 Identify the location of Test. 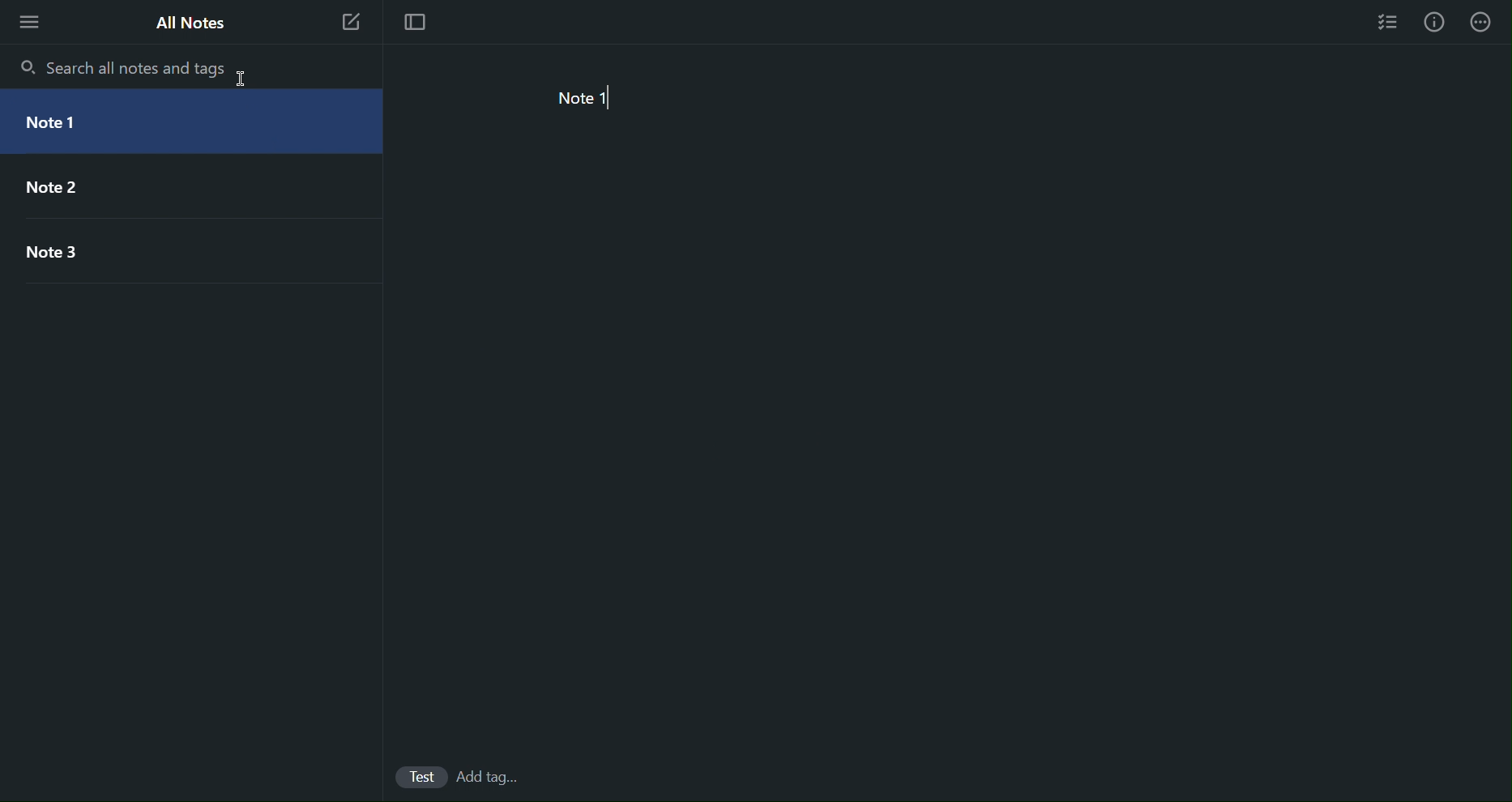
(418, 774).